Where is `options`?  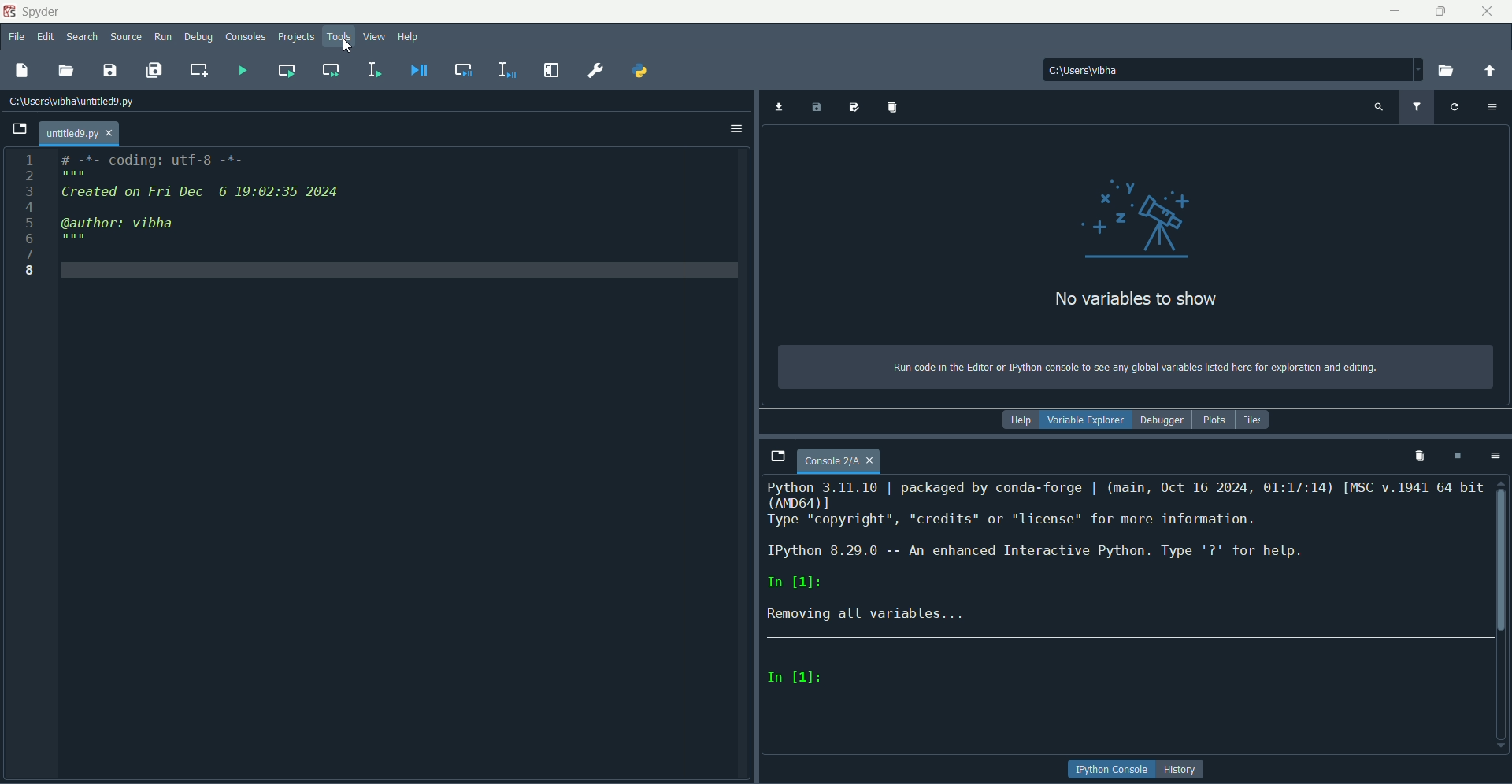
options is located at coordinates (736, 130).